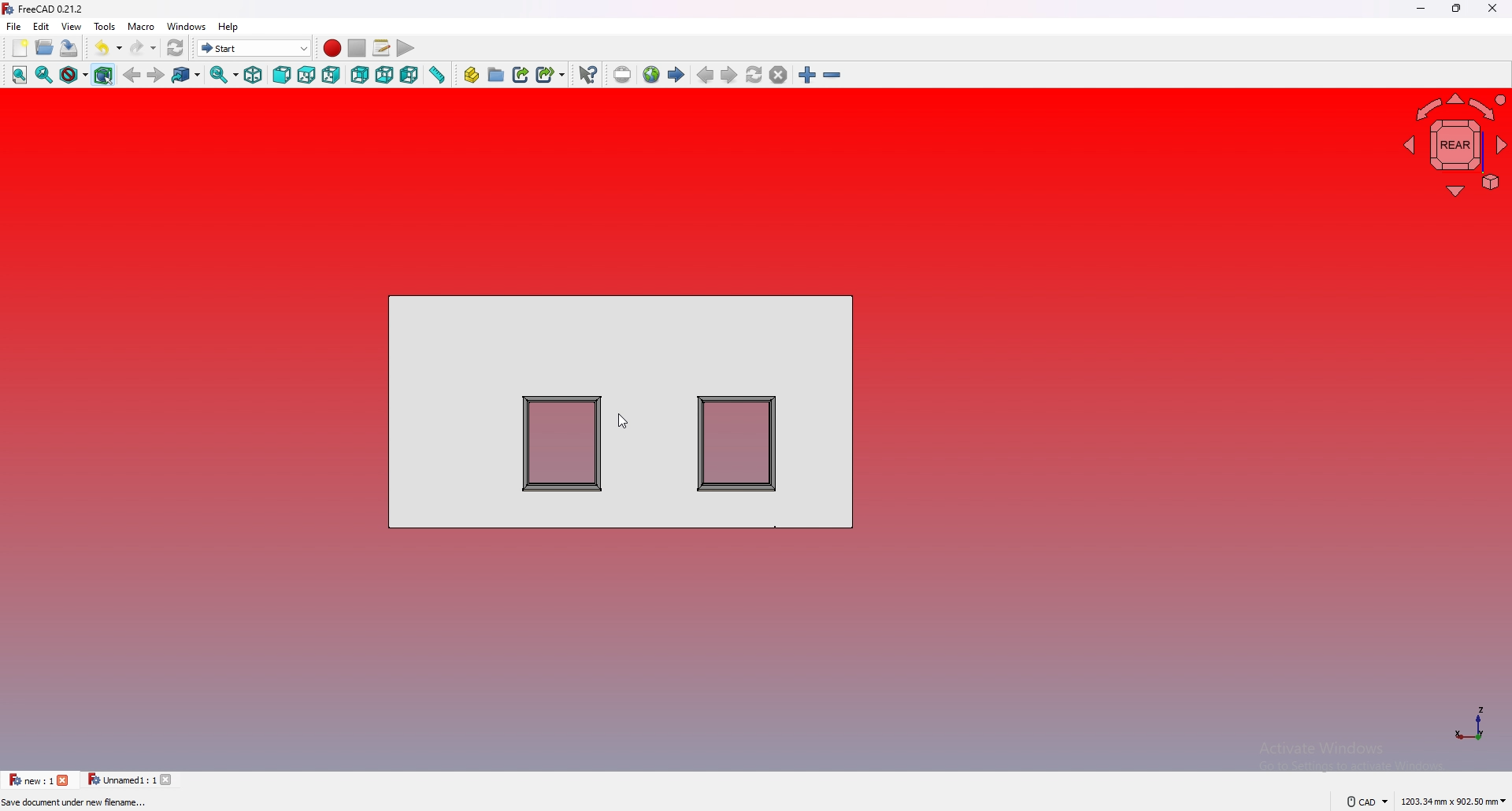 Image resolution: width=1512 pixels, height=811 pixels. What do you see at coordinates (381, 48) in the screenshot?
I see `macros` at bounding box center [381, 48].